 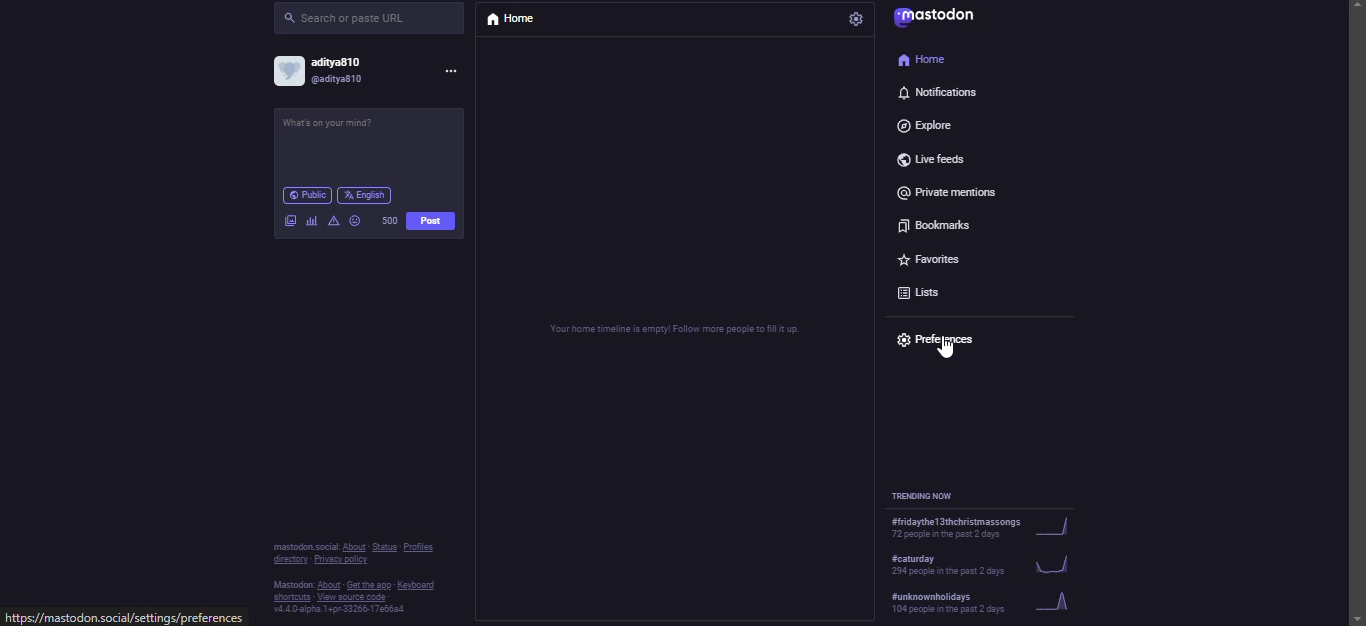 What do you see at coordinates (929, 495) in the screenshot?
I see `trending` at bounding box center [929, 495].